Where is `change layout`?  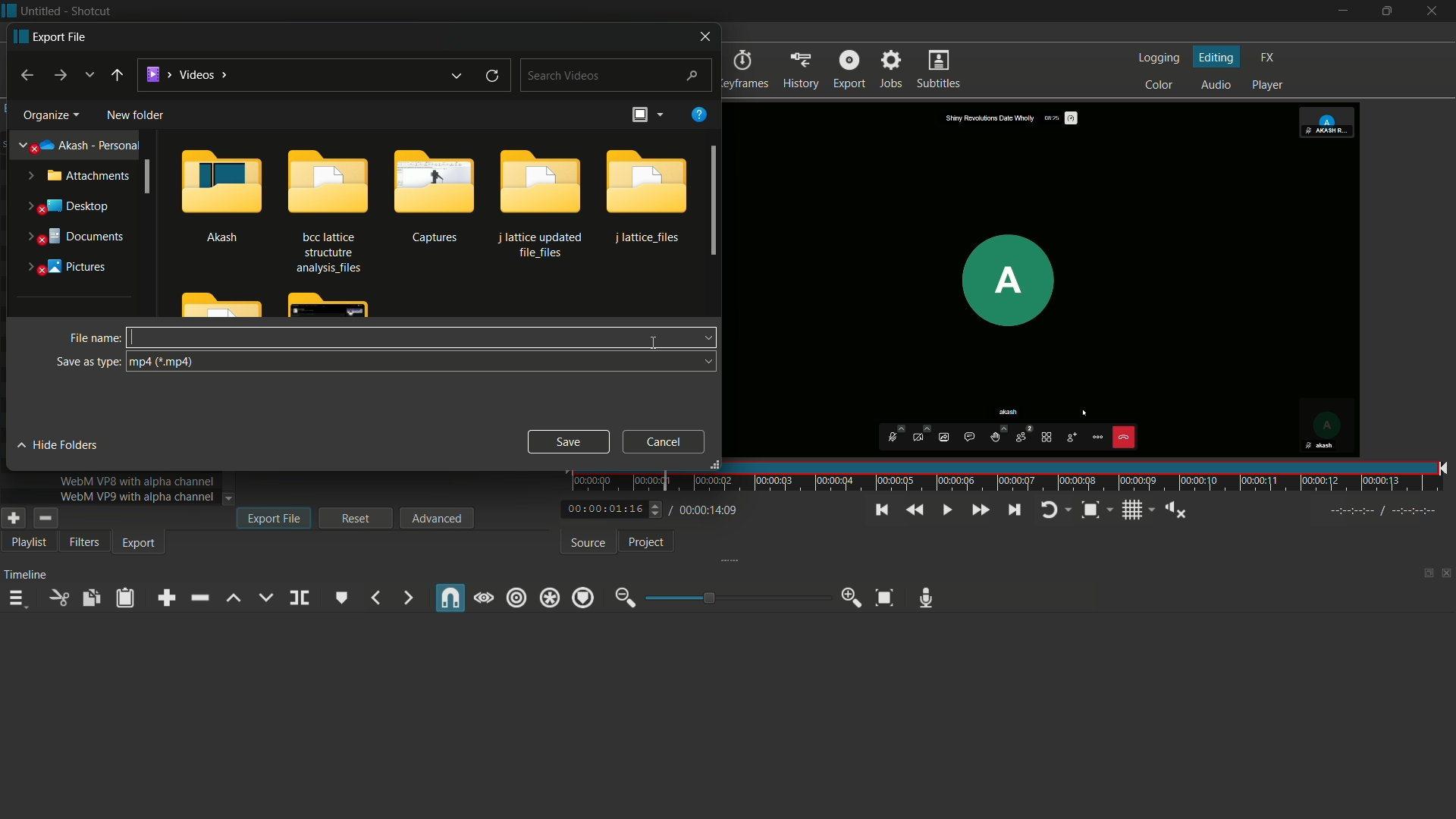 change layout is located at coordinates (1423, 577).